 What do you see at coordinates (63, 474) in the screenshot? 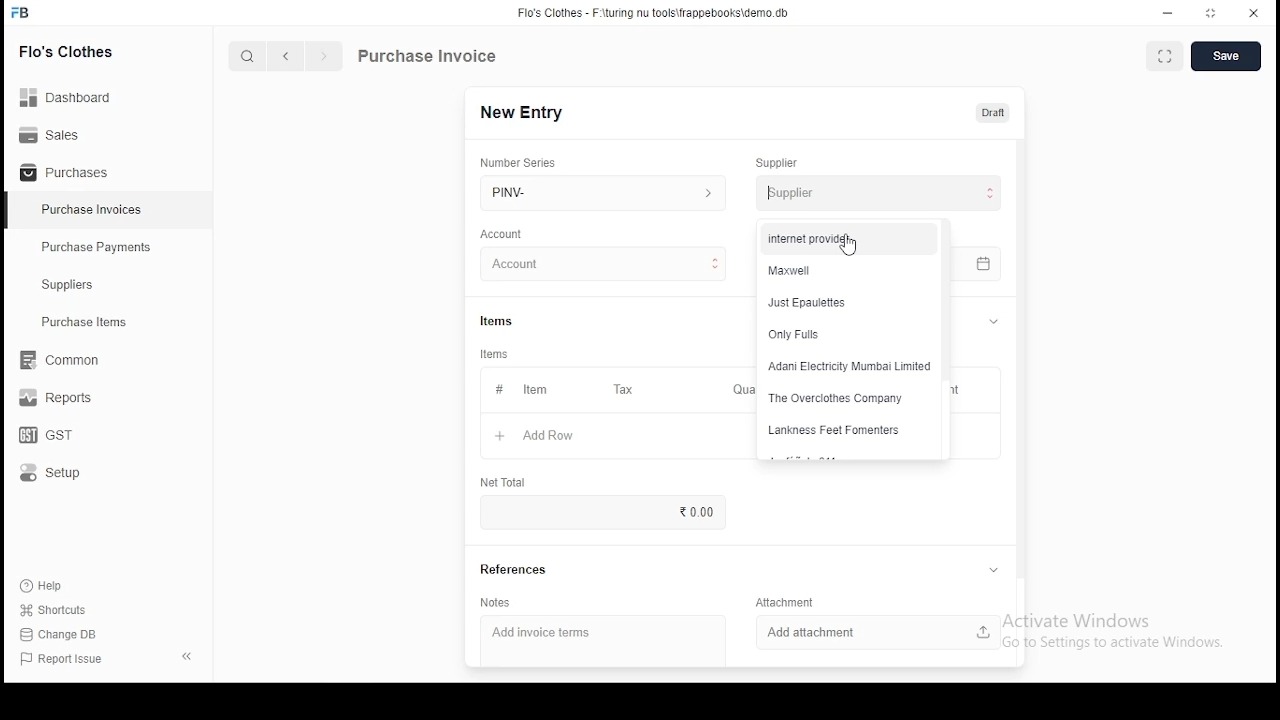
I see `setup` at bounding box center [63, 474].